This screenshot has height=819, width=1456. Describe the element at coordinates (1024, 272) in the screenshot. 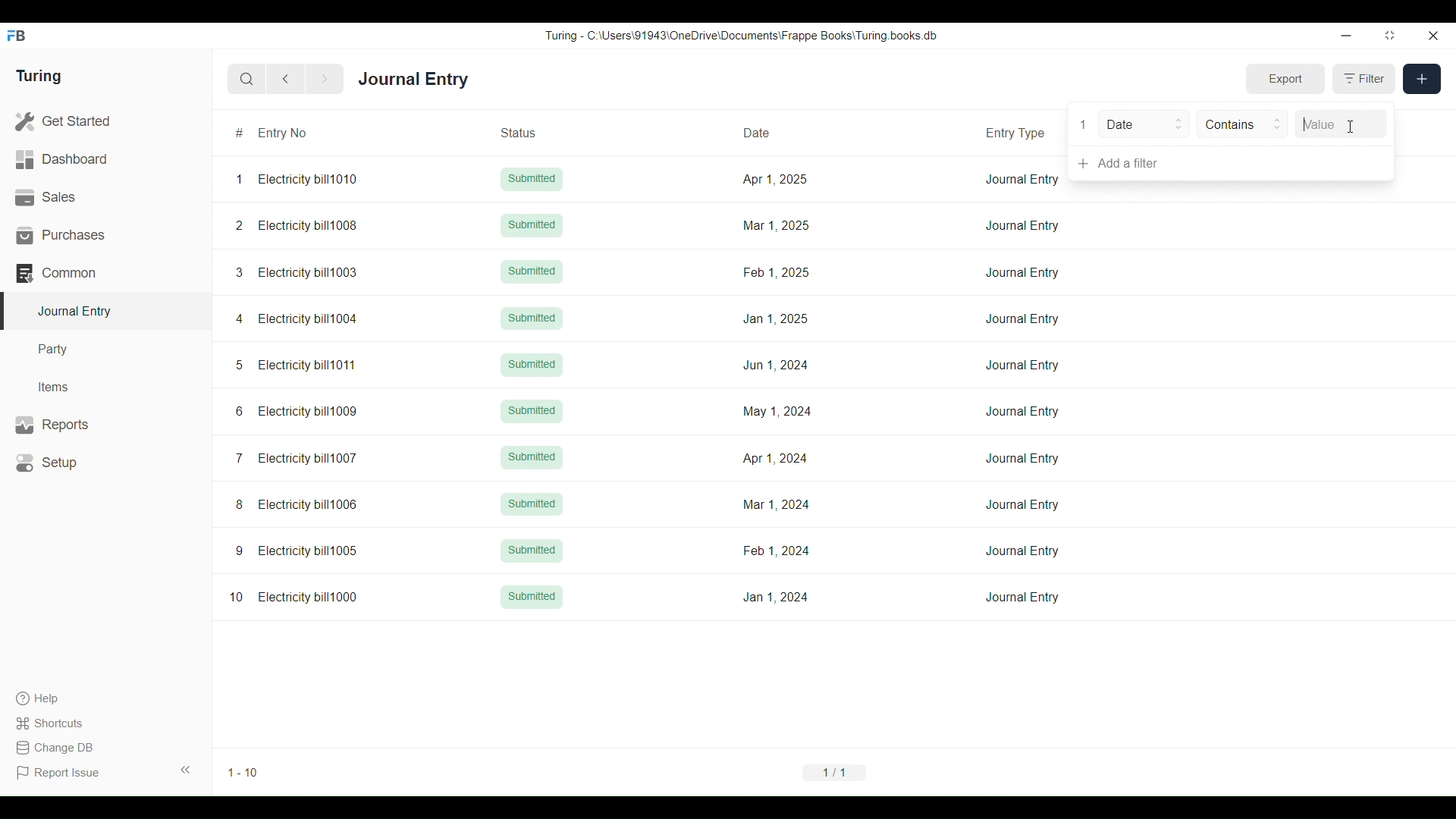

I see `Journal Entry` at that location.